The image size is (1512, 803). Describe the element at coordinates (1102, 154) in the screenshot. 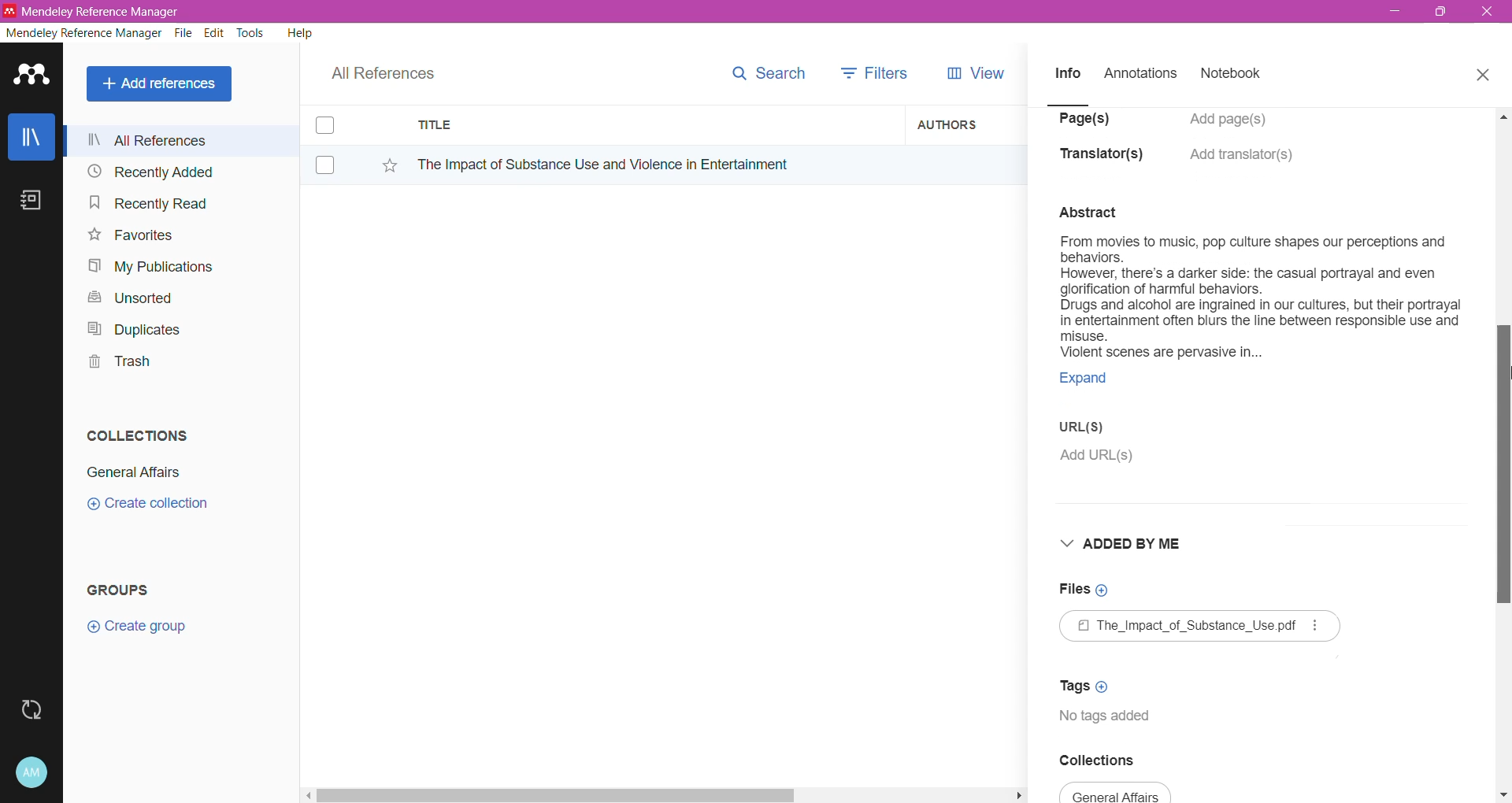

I see `translators` at that location.